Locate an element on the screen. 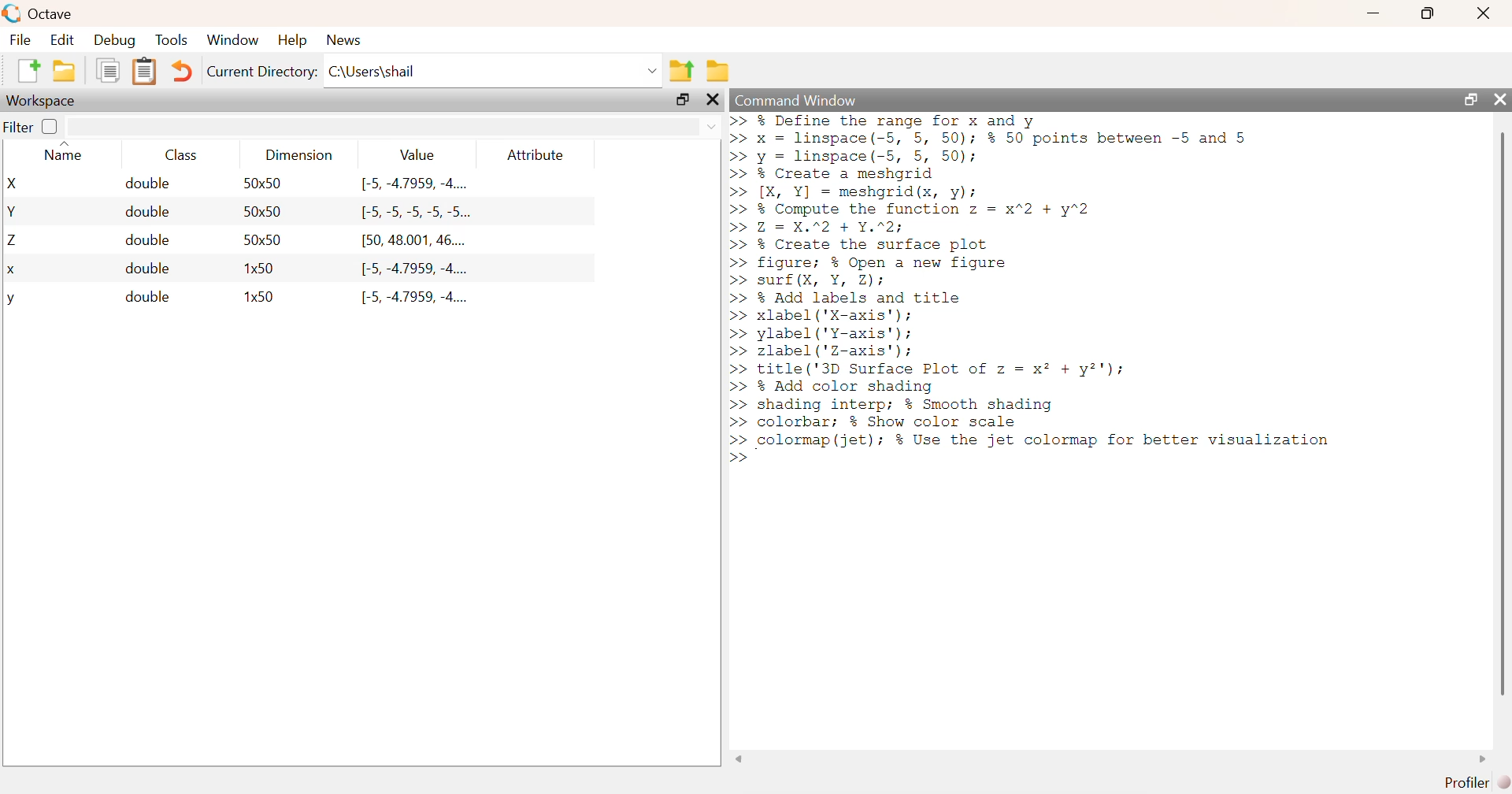 The image size is (1512, 794). scroll right is located at coordinates (1484, 759).